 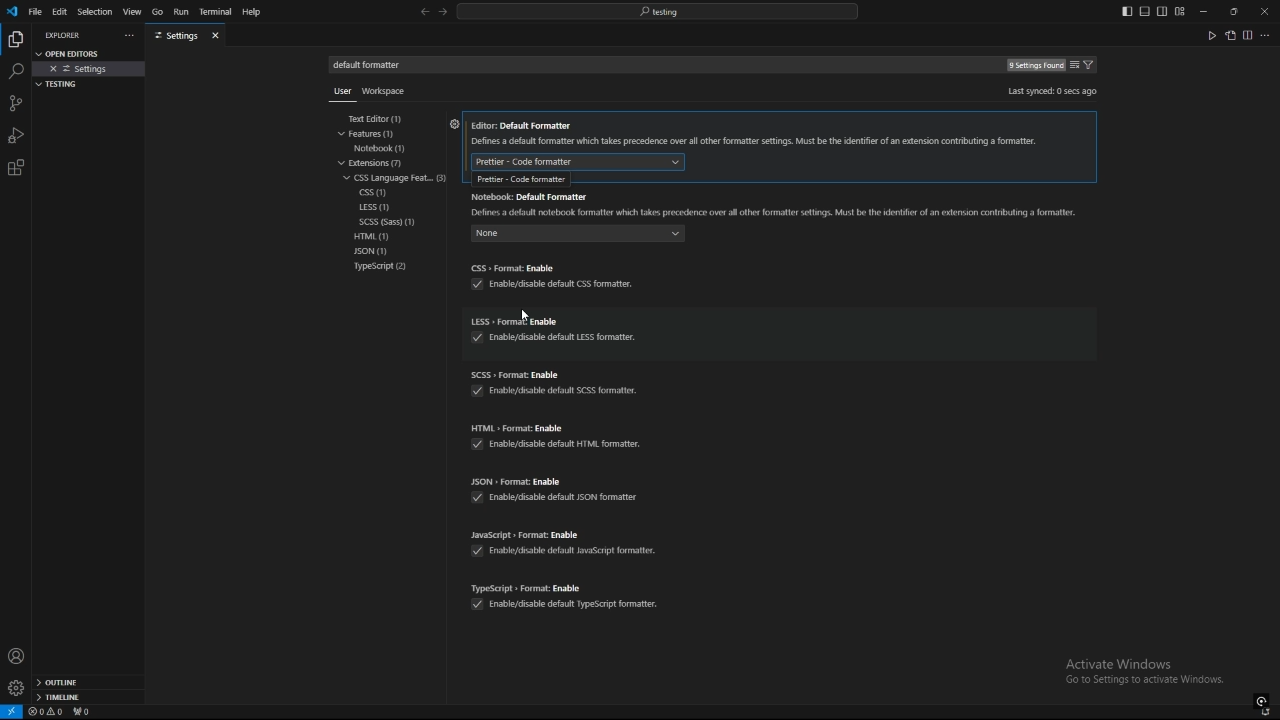 I want to click on default formatter, so click(x=374, y=65).